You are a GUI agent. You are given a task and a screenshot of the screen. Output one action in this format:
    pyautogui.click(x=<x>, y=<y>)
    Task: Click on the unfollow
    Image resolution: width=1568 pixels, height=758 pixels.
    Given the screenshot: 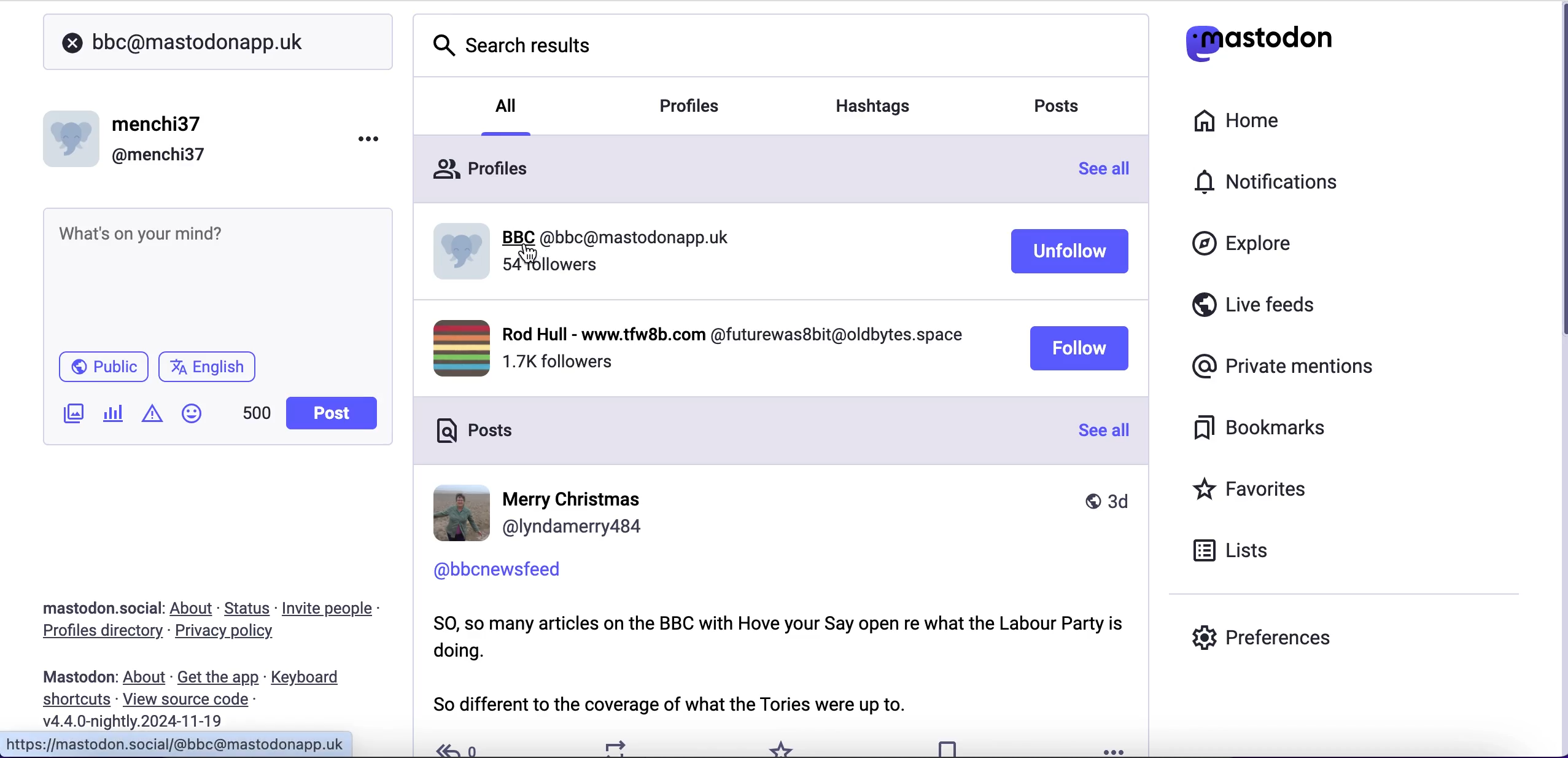 What is the action you would take?
    pyautogui.click(x=1070, y=251)
    